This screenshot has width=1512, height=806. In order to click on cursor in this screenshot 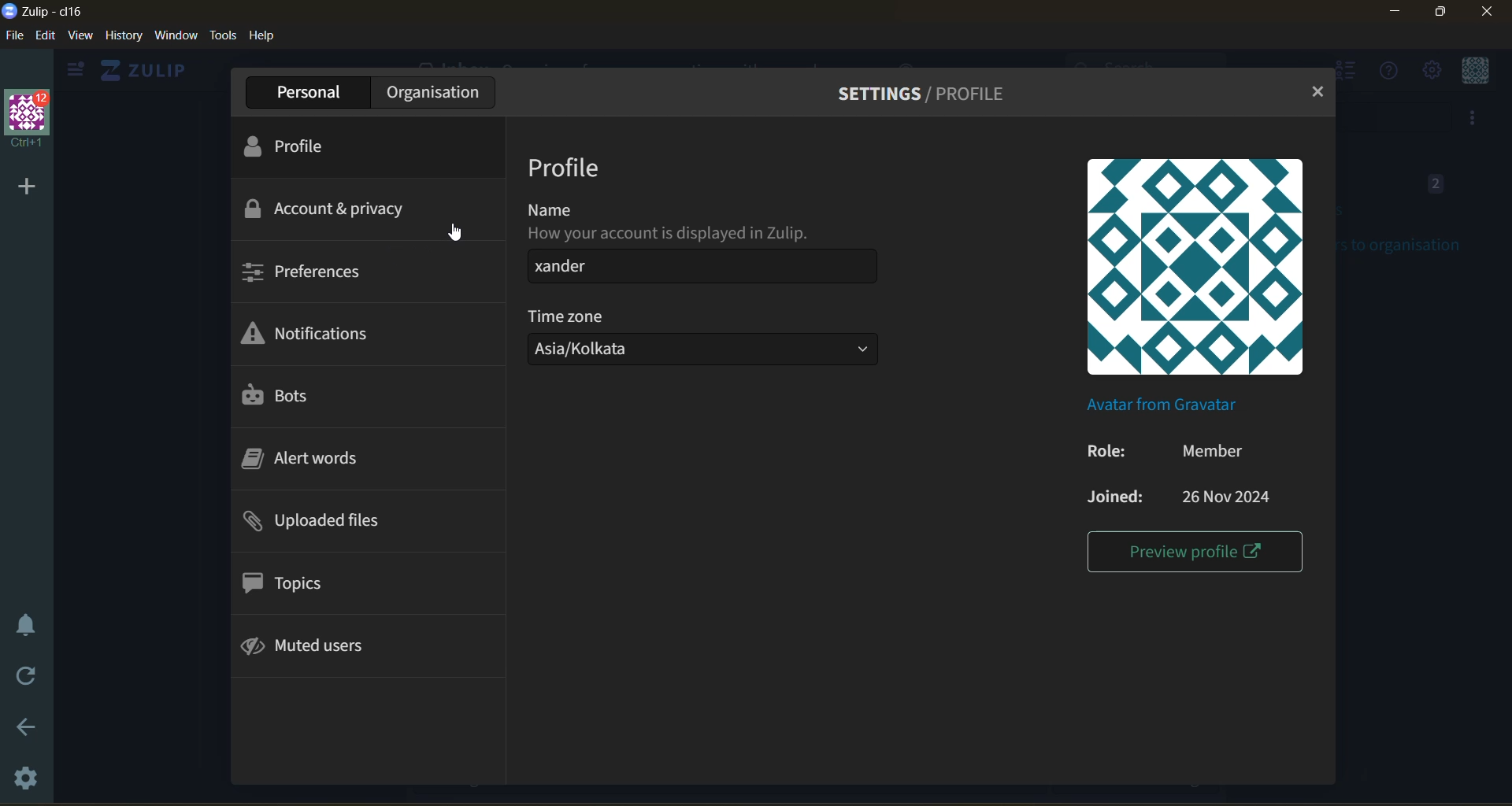, I will do `click(461, 232)`.